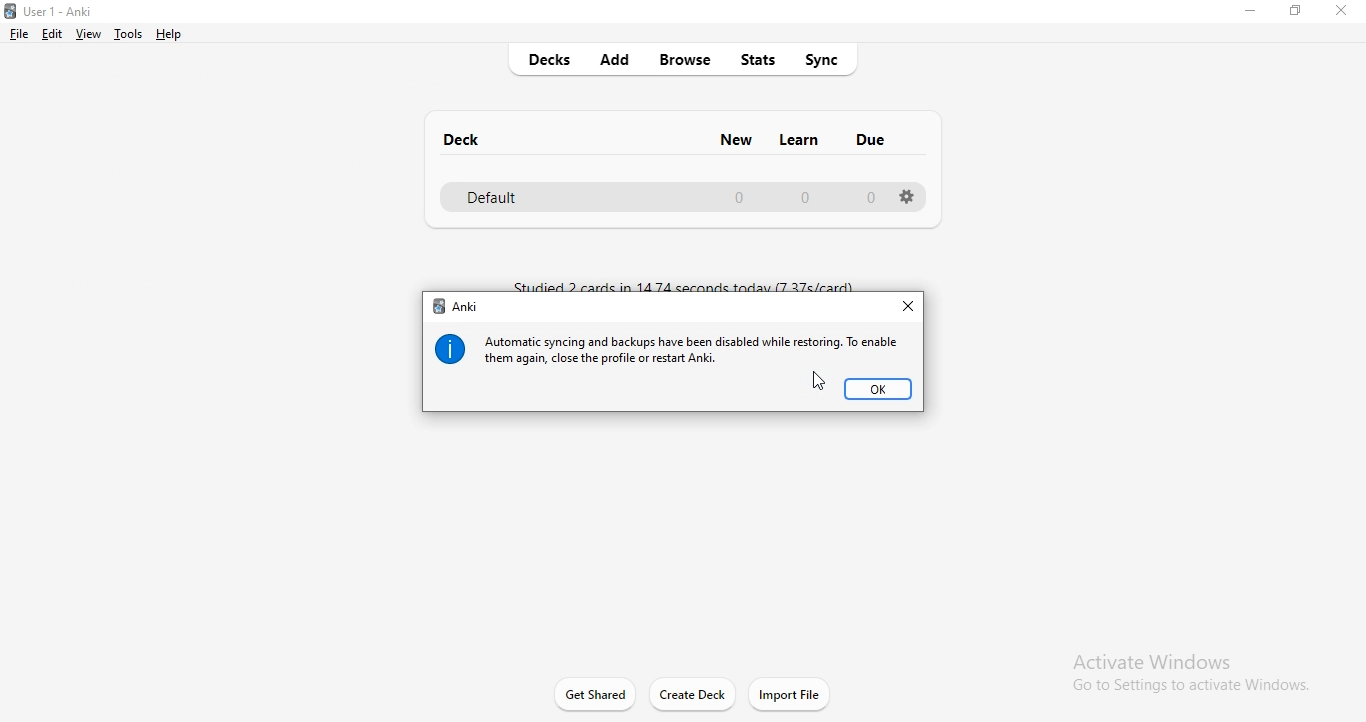 The width and height of the screenshot is (1366, 722). What do you see at coordinates (1345, 12) in the screenshot?
I see `close` at bounding box center [1345, 12].